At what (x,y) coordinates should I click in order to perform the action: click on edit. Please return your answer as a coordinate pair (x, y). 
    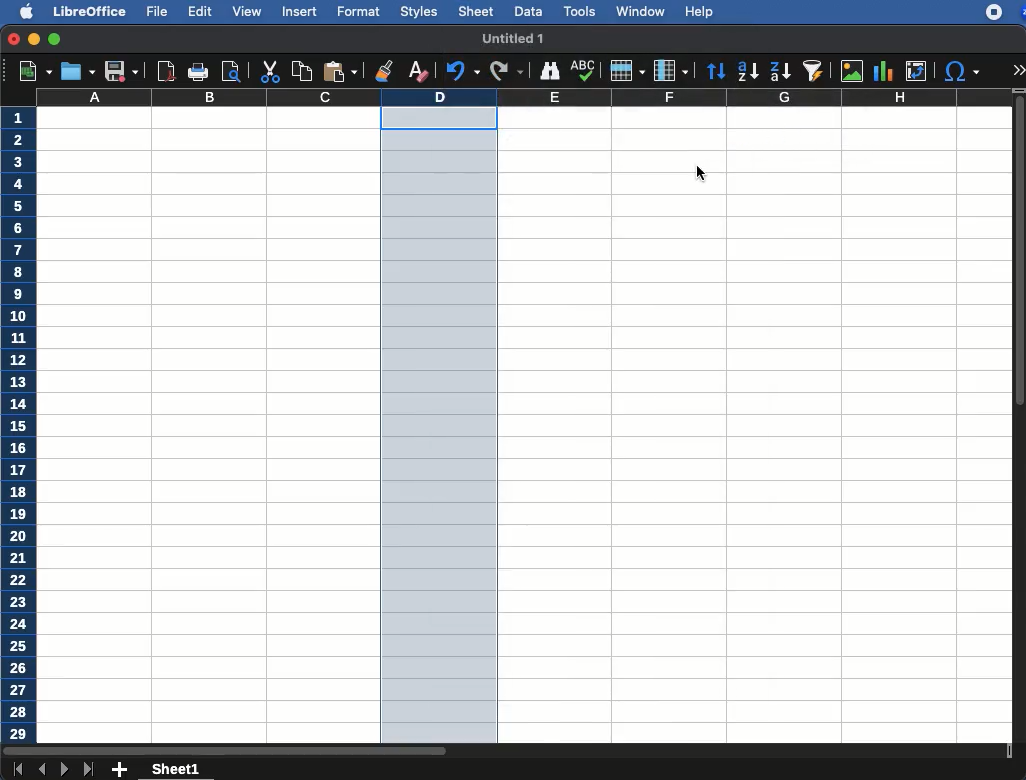
    Looking at the image, I should click on (200, 11).